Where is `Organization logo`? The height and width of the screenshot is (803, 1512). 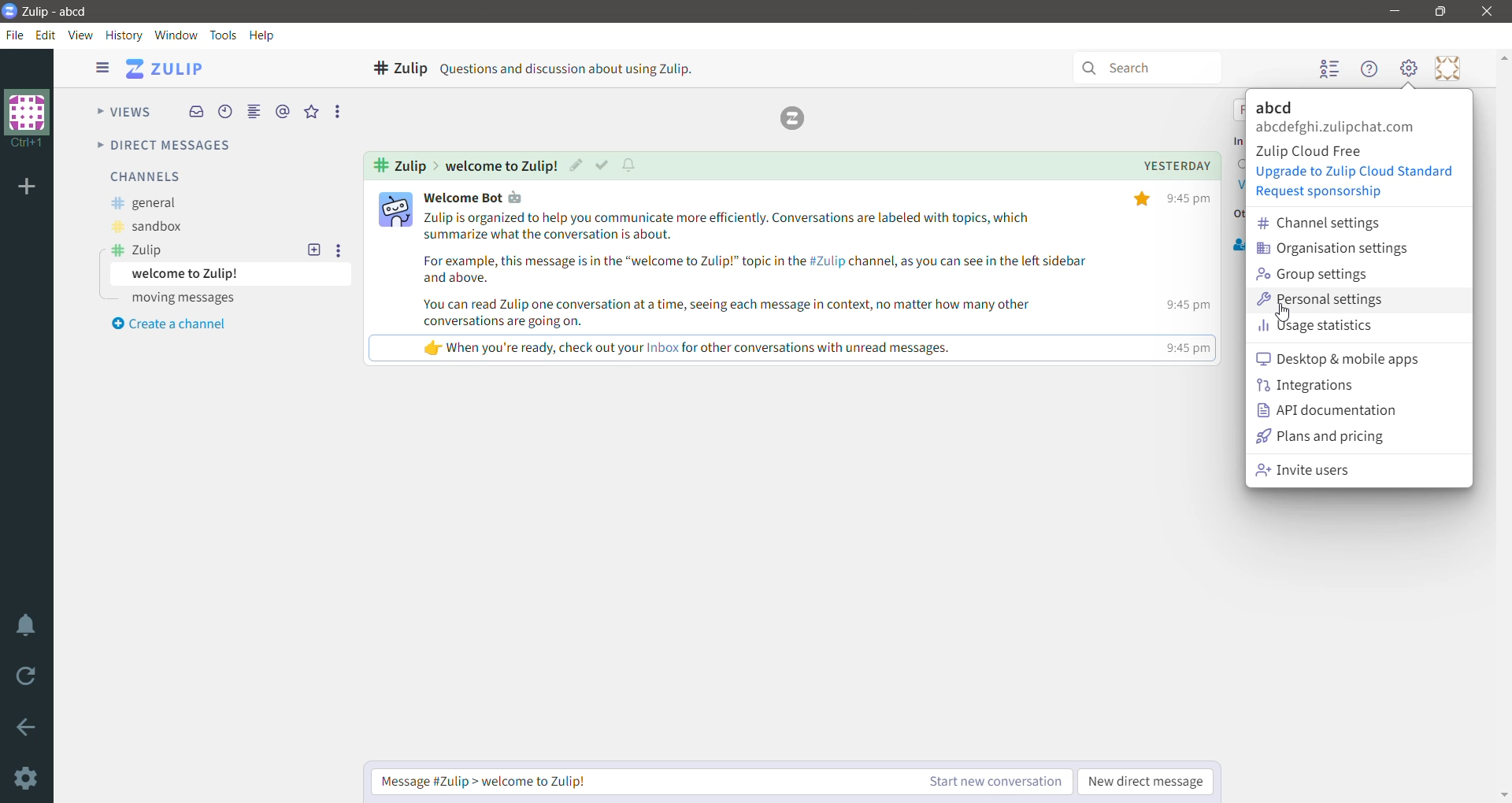
Organization logo is located at coordinates (28, 119).